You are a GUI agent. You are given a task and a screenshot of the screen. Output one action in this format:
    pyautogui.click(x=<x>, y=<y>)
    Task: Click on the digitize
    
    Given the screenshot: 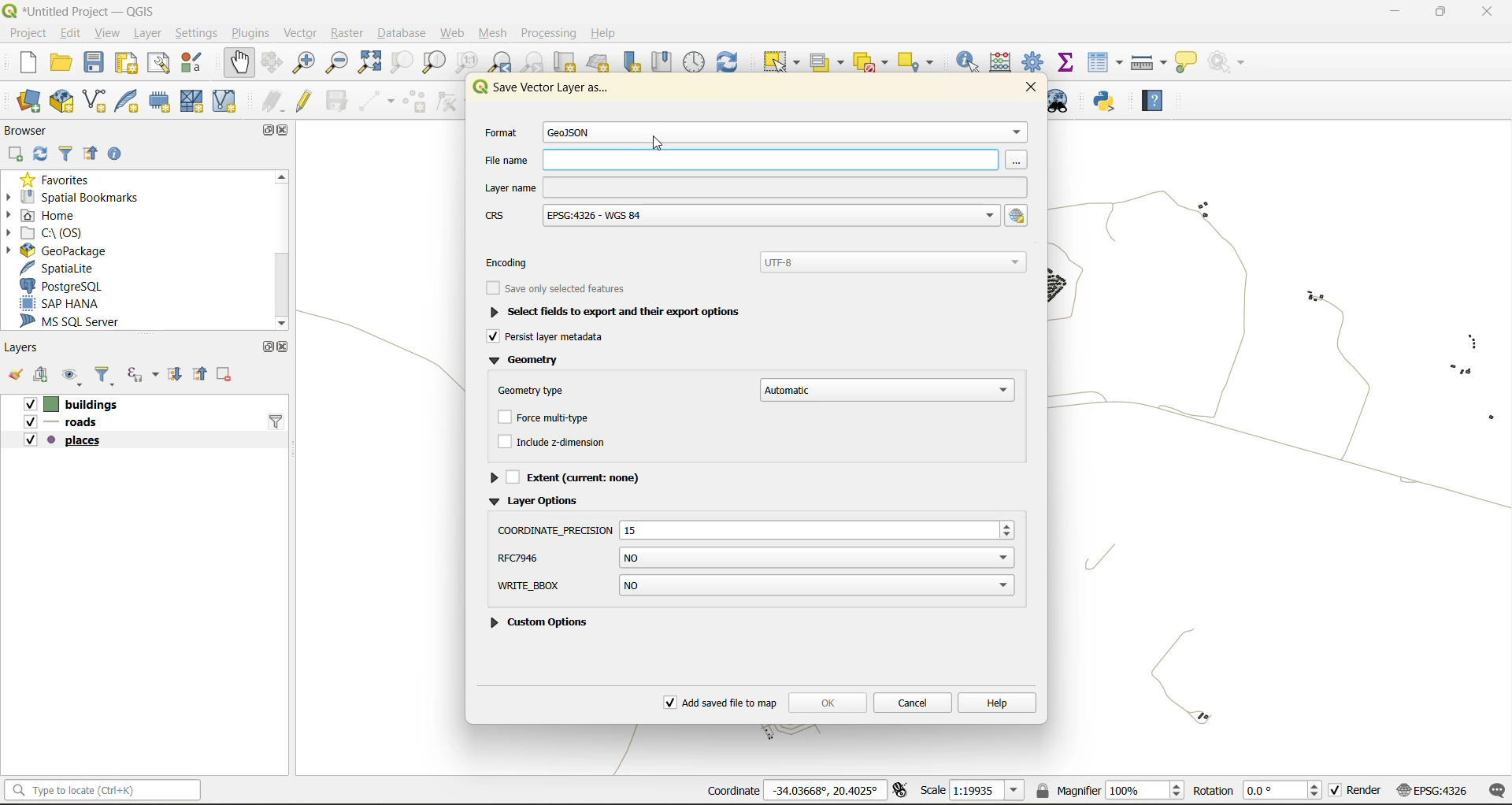 What is the action you would take?
    pyautogui.click(x=374, y=101)
    